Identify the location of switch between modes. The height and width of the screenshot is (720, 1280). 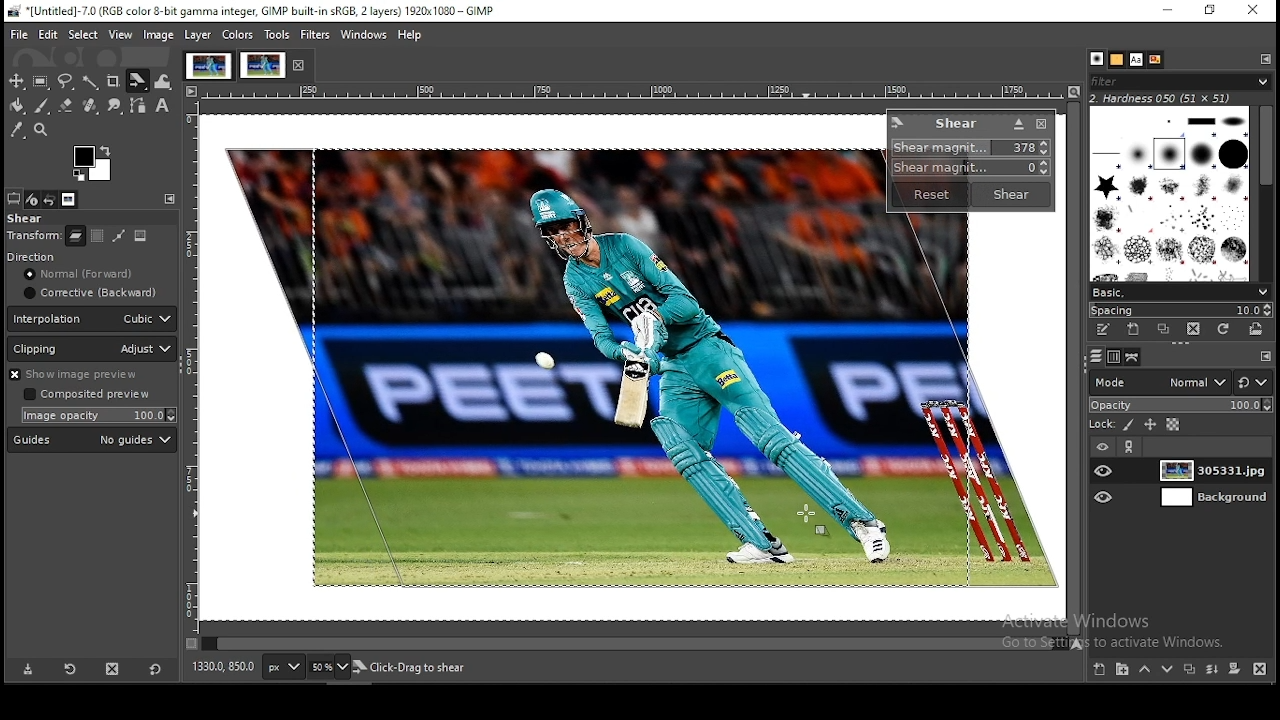
(1255, 383).